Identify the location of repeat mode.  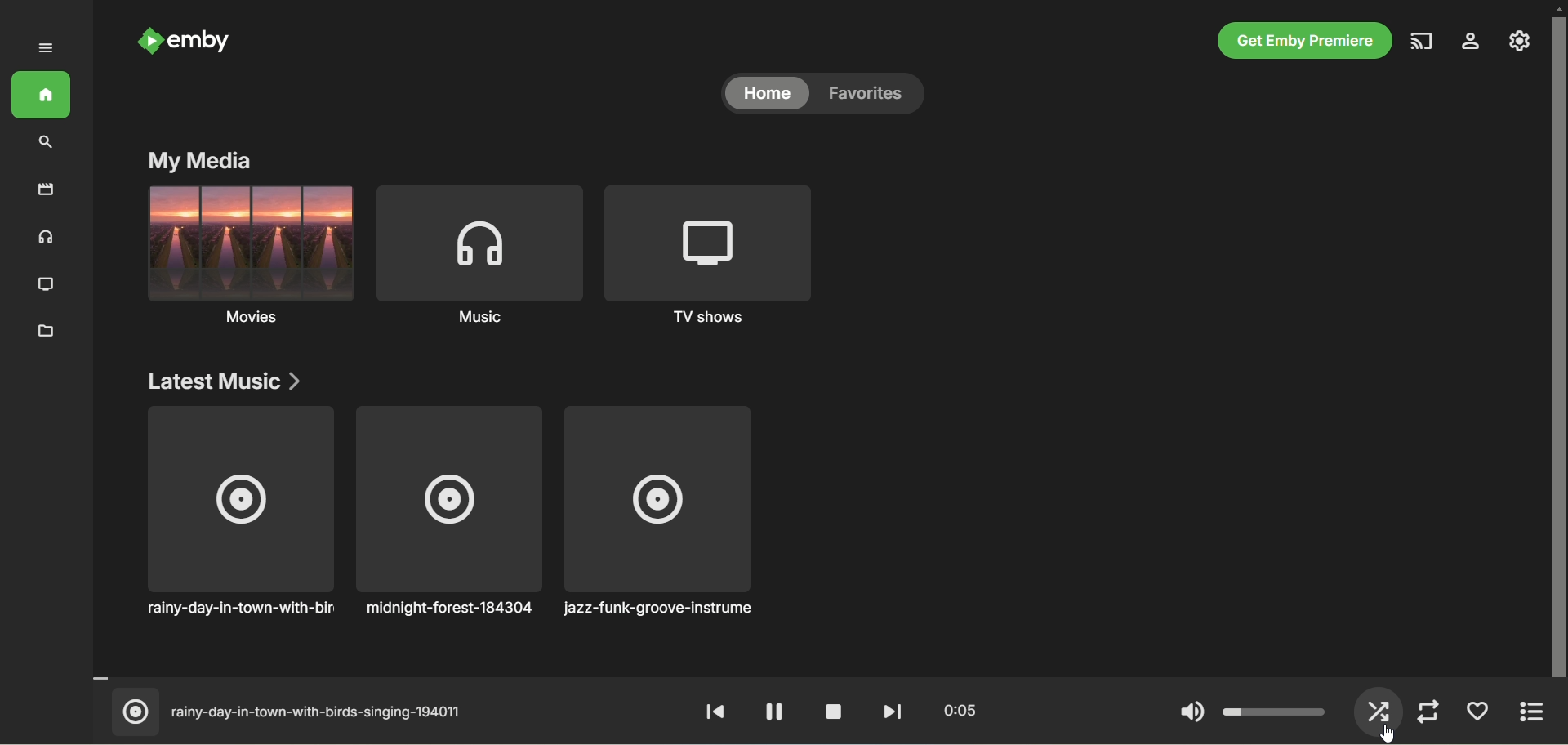
(1427, 711).